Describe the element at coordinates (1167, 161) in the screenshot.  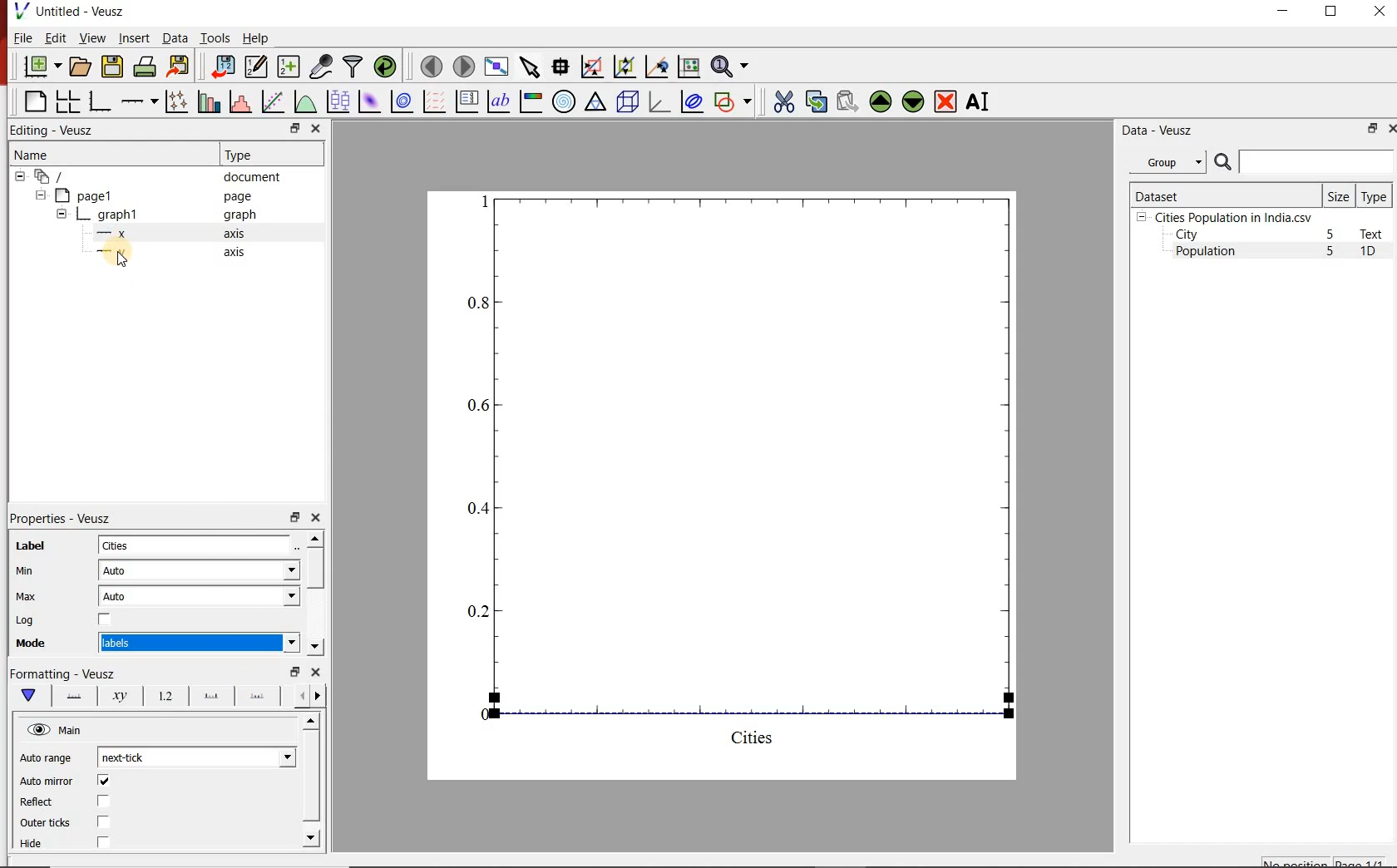
I see `Group datasets with property given` at that location.